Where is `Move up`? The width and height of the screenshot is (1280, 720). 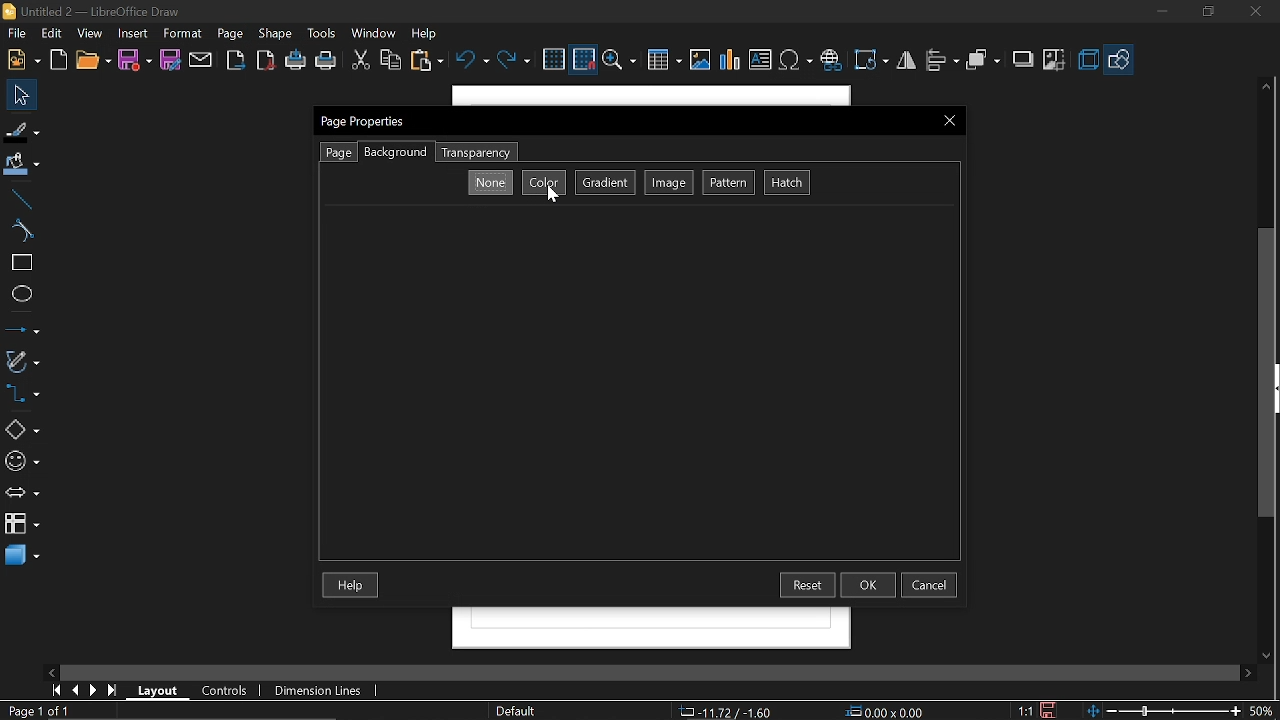
Move up is located at coordinates (1269, 86).